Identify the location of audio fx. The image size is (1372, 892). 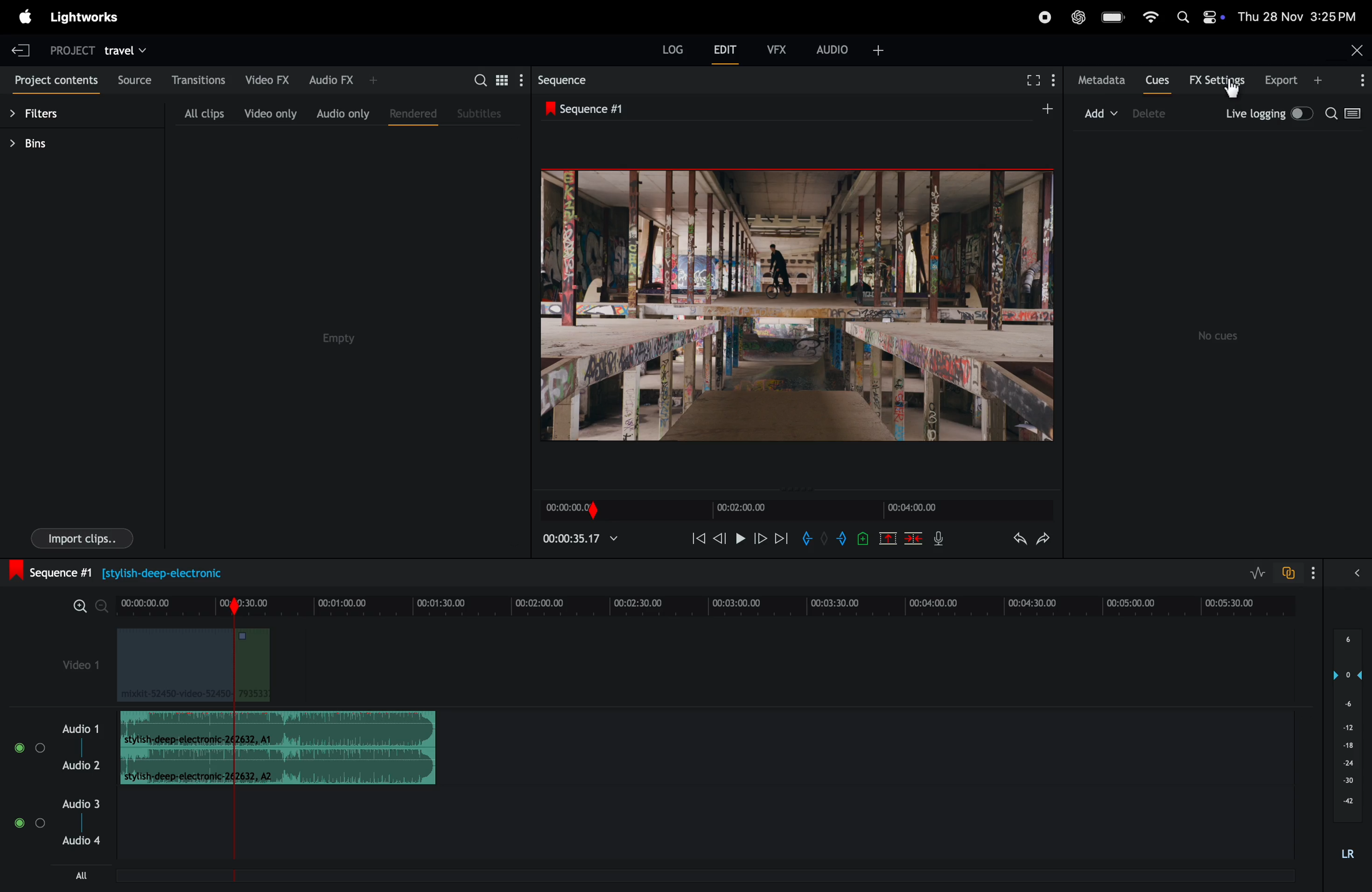
(345, 80).